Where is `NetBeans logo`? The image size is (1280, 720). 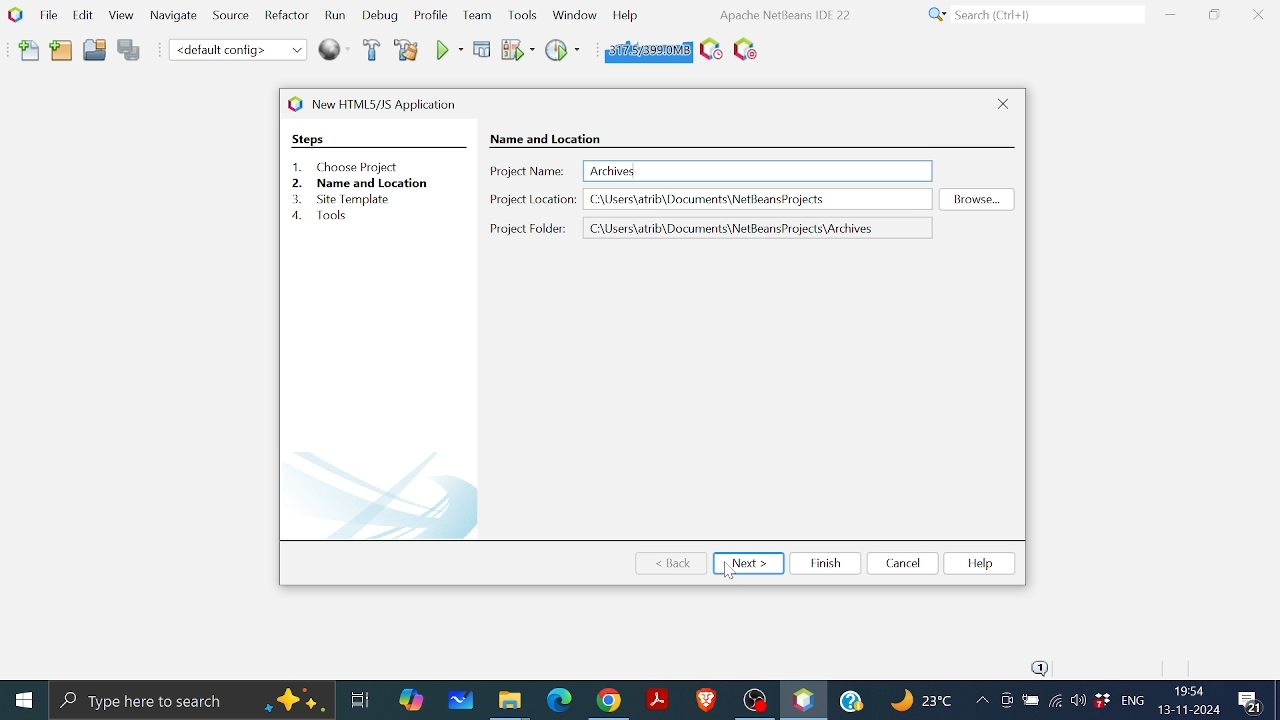 NetBeans logo is located at coordinates (14, 14).